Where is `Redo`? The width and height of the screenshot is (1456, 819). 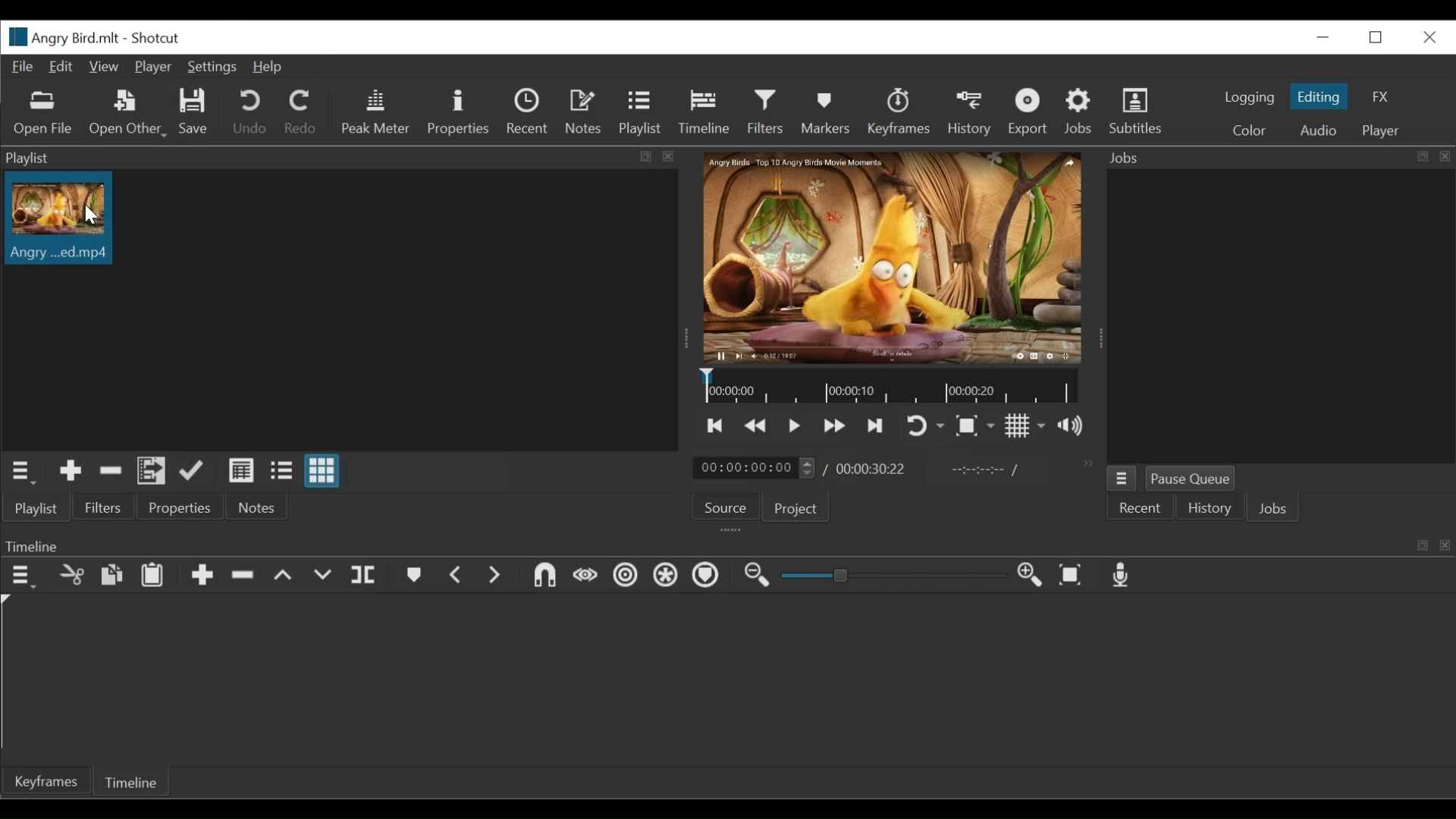 Redo is located at coordinates (302, 111).